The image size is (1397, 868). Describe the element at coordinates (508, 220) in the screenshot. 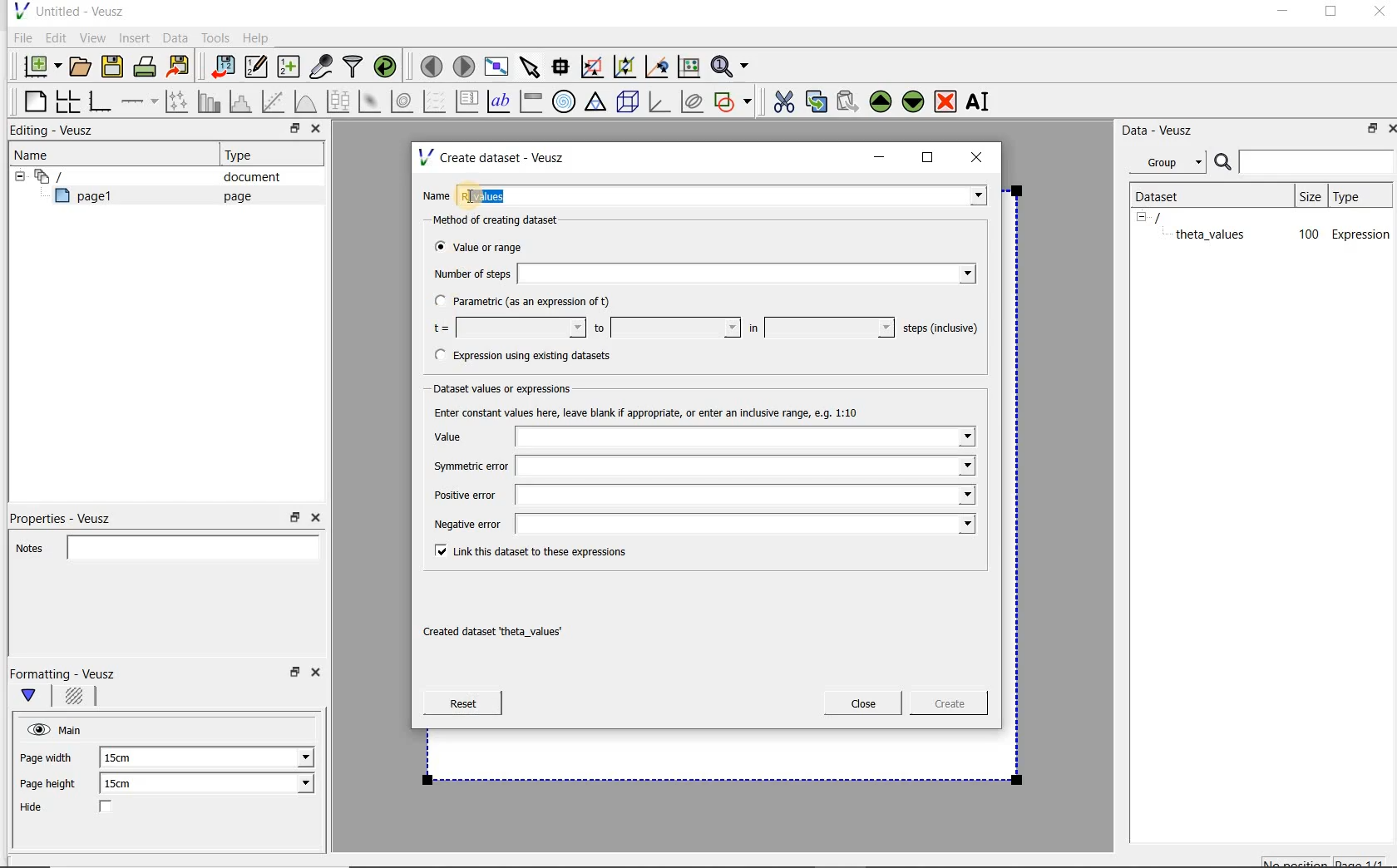

I see `Method of creating dataset:` at that location.